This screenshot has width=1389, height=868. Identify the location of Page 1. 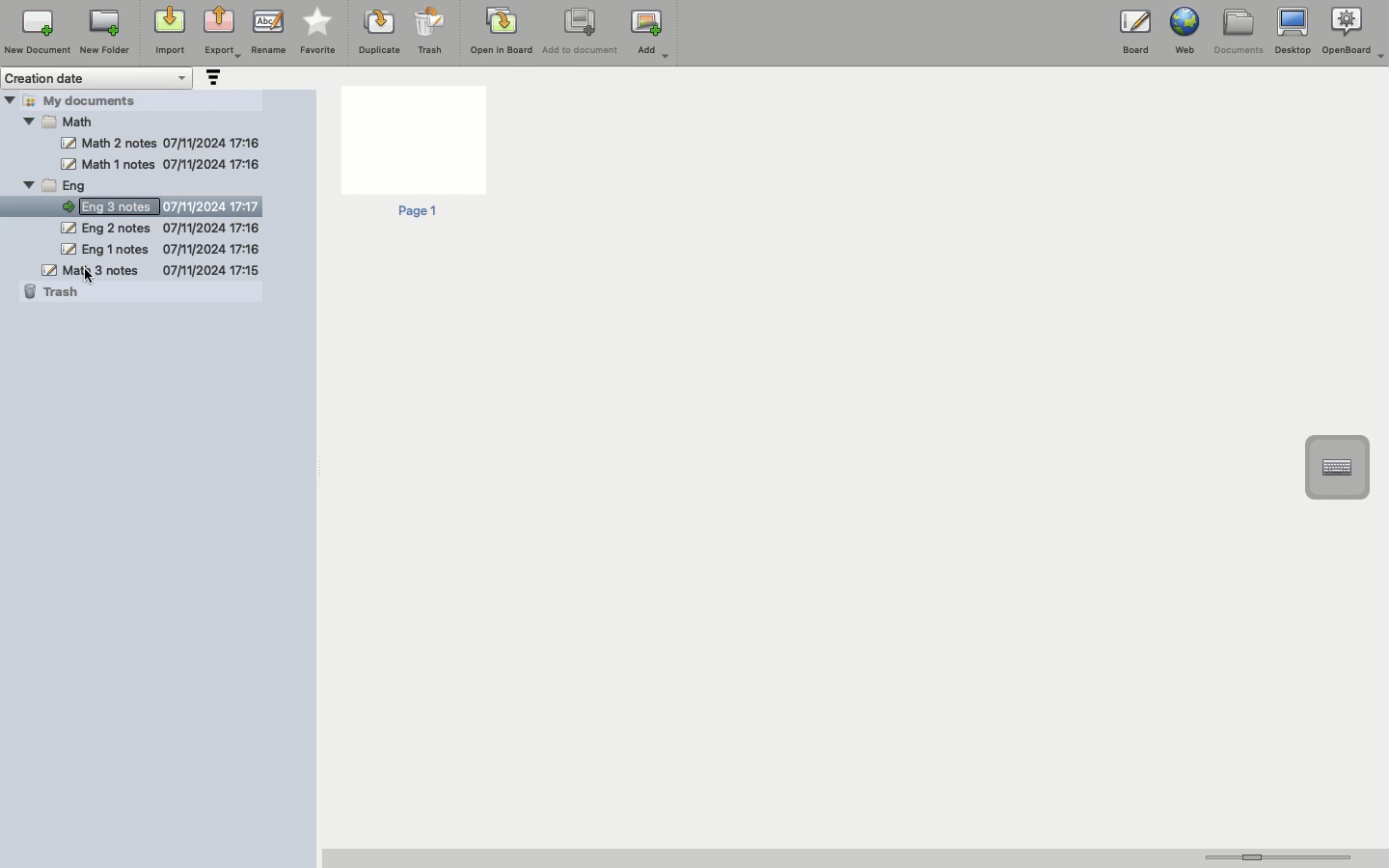
(412, 153).